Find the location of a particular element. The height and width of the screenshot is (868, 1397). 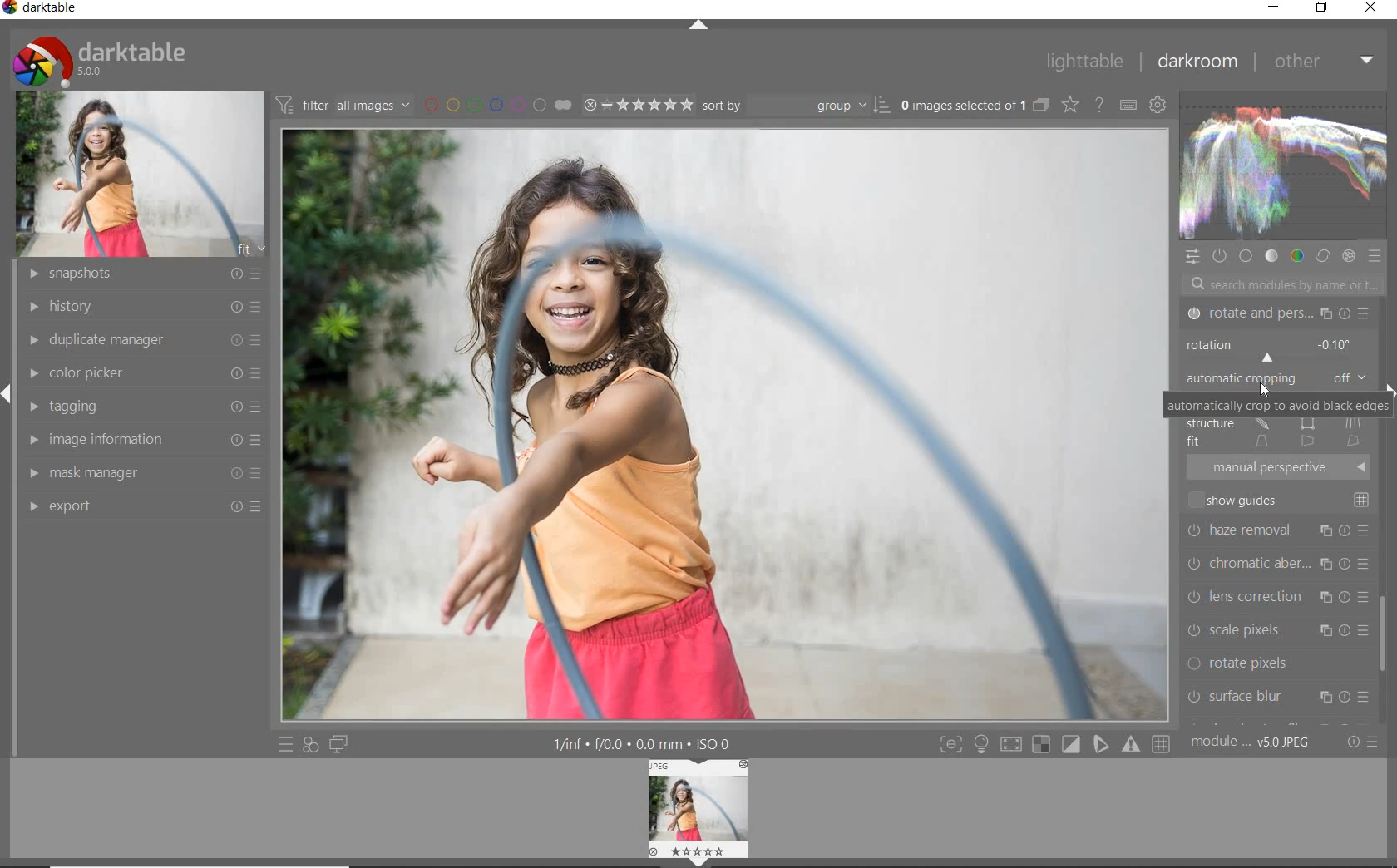

color picker is located at coordinates (142, 372).